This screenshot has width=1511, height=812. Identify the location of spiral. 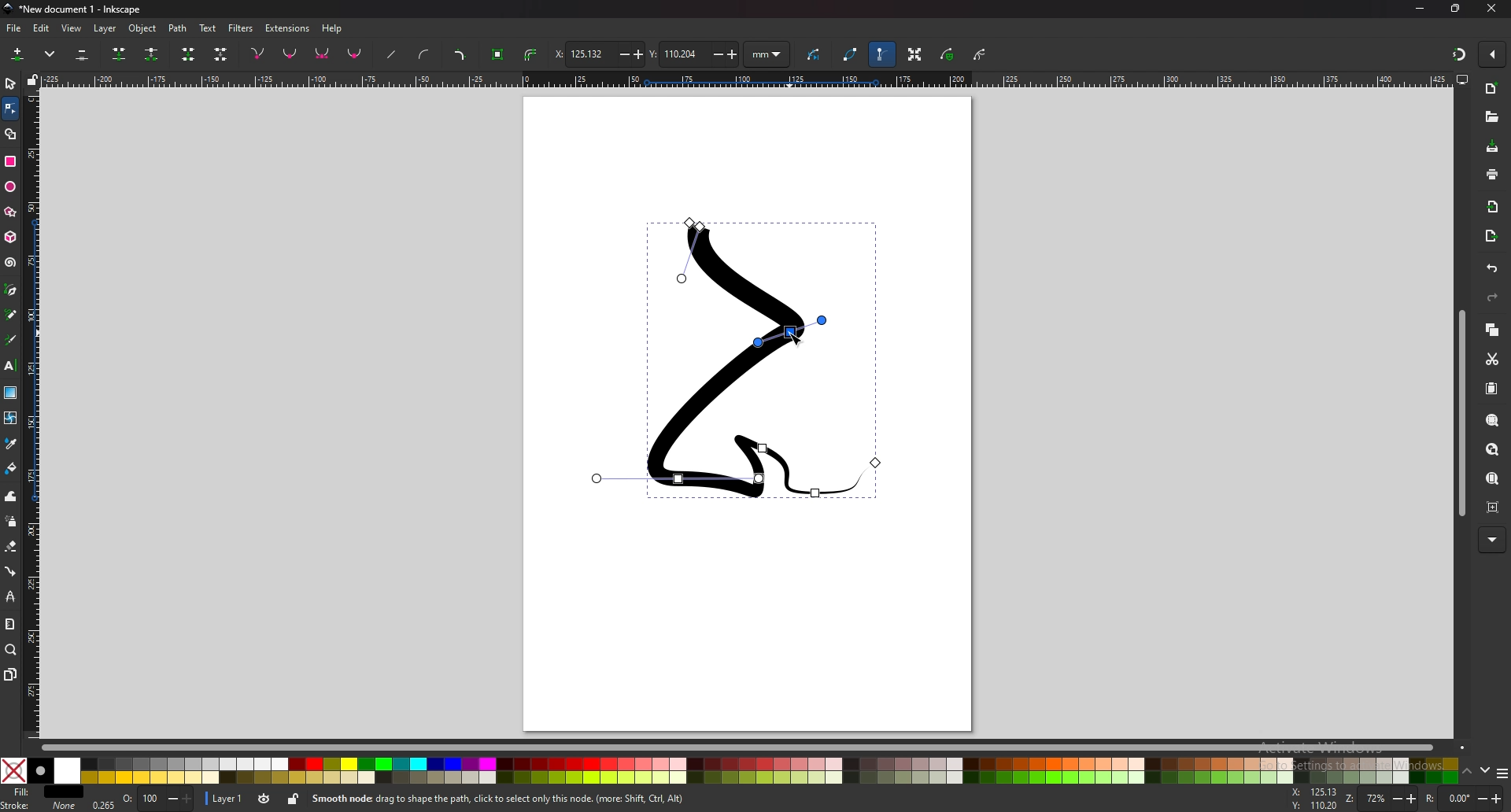
(9, 263).